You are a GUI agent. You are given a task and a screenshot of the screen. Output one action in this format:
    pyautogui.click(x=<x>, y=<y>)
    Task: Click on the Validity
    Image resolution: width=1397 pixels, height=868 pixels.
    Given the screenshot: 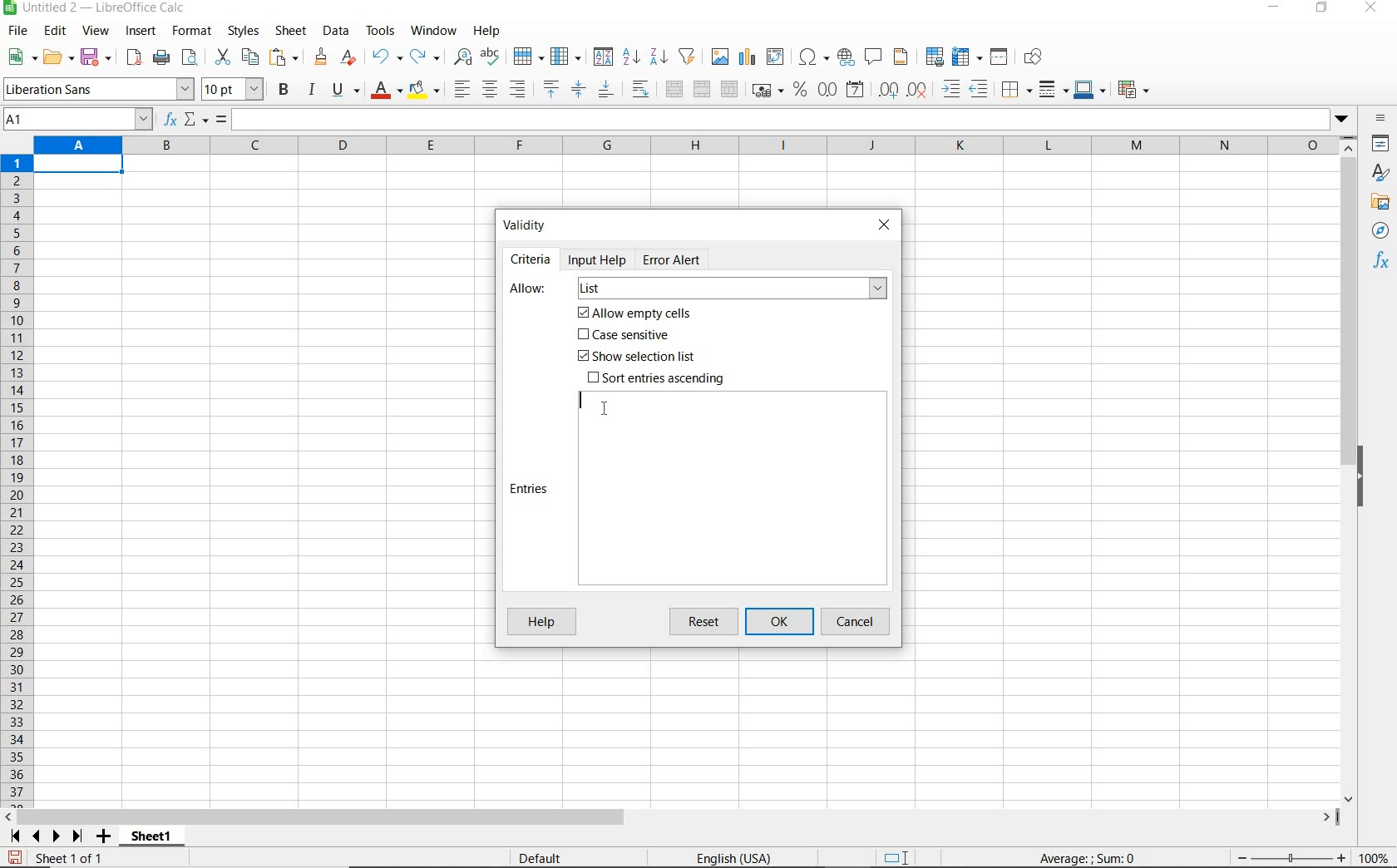 What is the action you would take?
    pyautogui.click(x=526, y=224)
    